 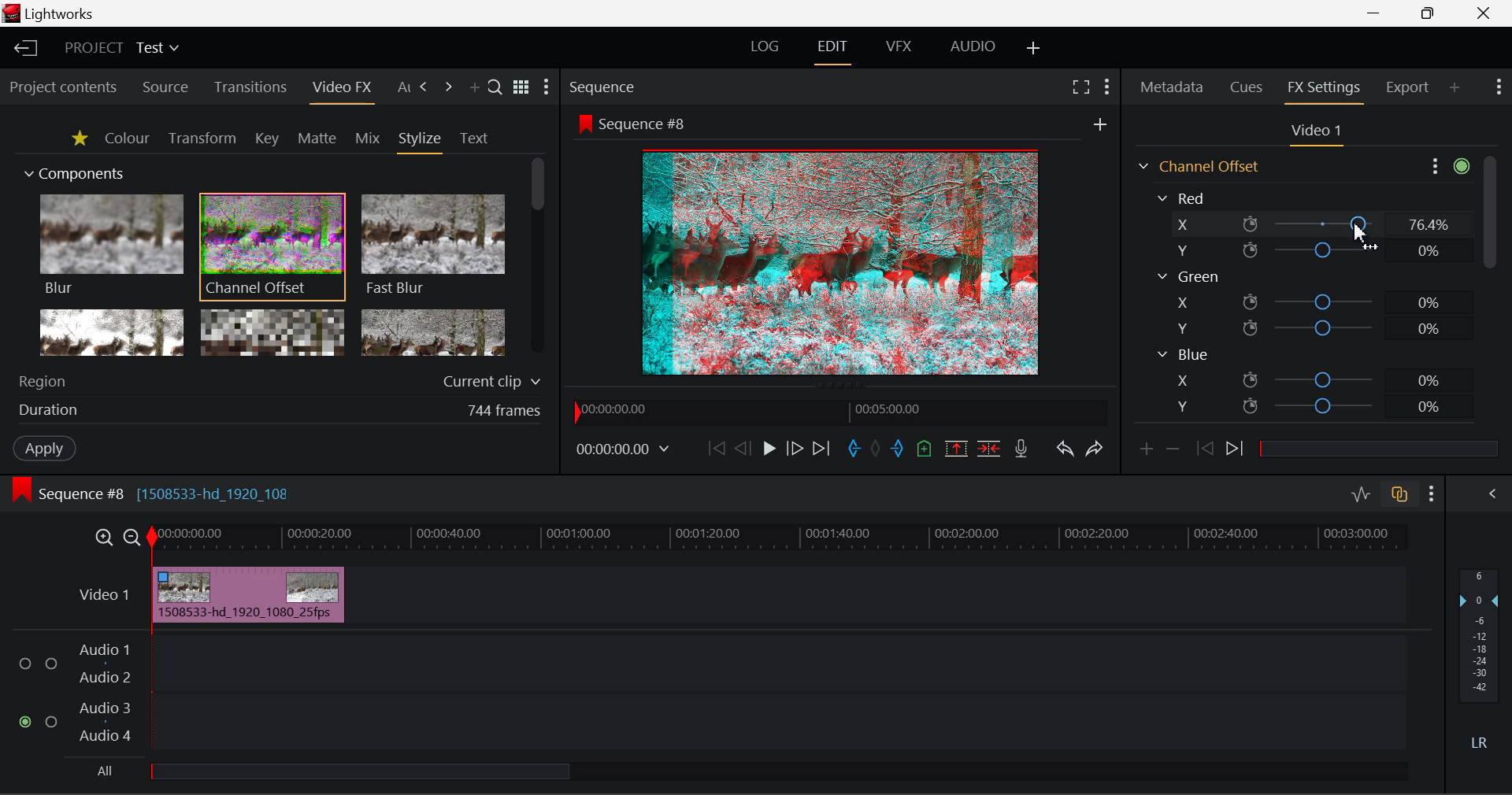 I want to click on Record Voiceover, so click(x=1021, y=450).